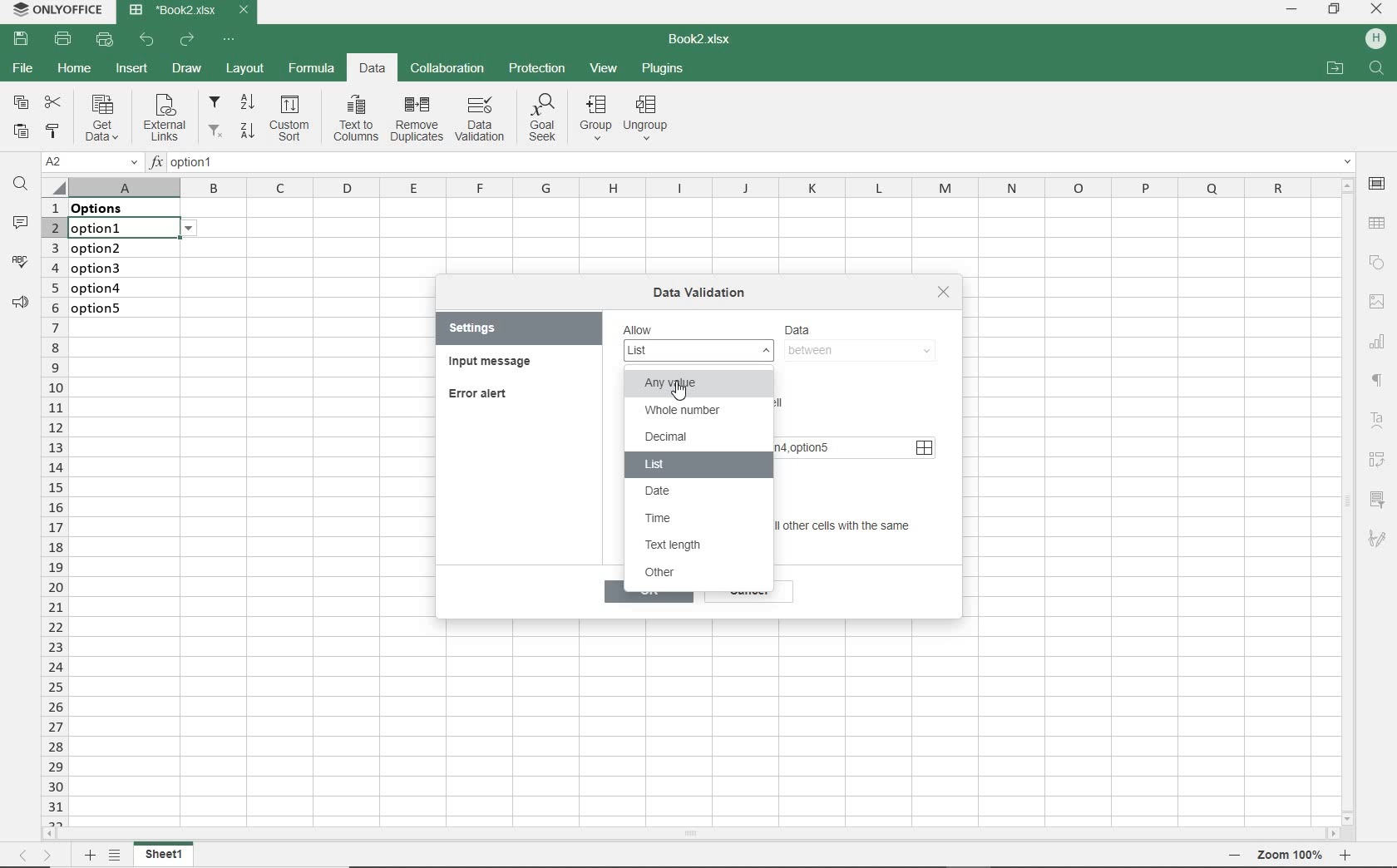 Image resolution: width=1397 pixels, height=868 pixels. I want to click on HOME, so click(74, 72).